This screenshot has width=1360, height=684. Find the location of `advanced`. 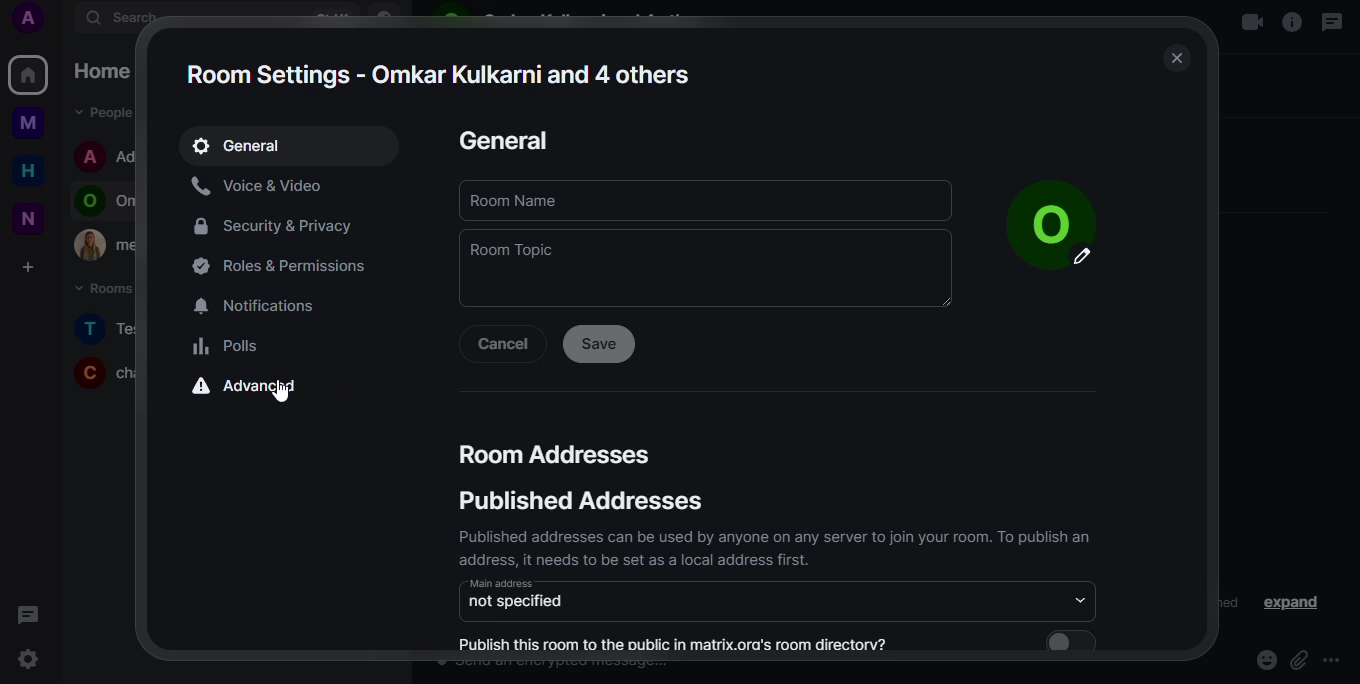

advanced is located at coordinates (254, 388).